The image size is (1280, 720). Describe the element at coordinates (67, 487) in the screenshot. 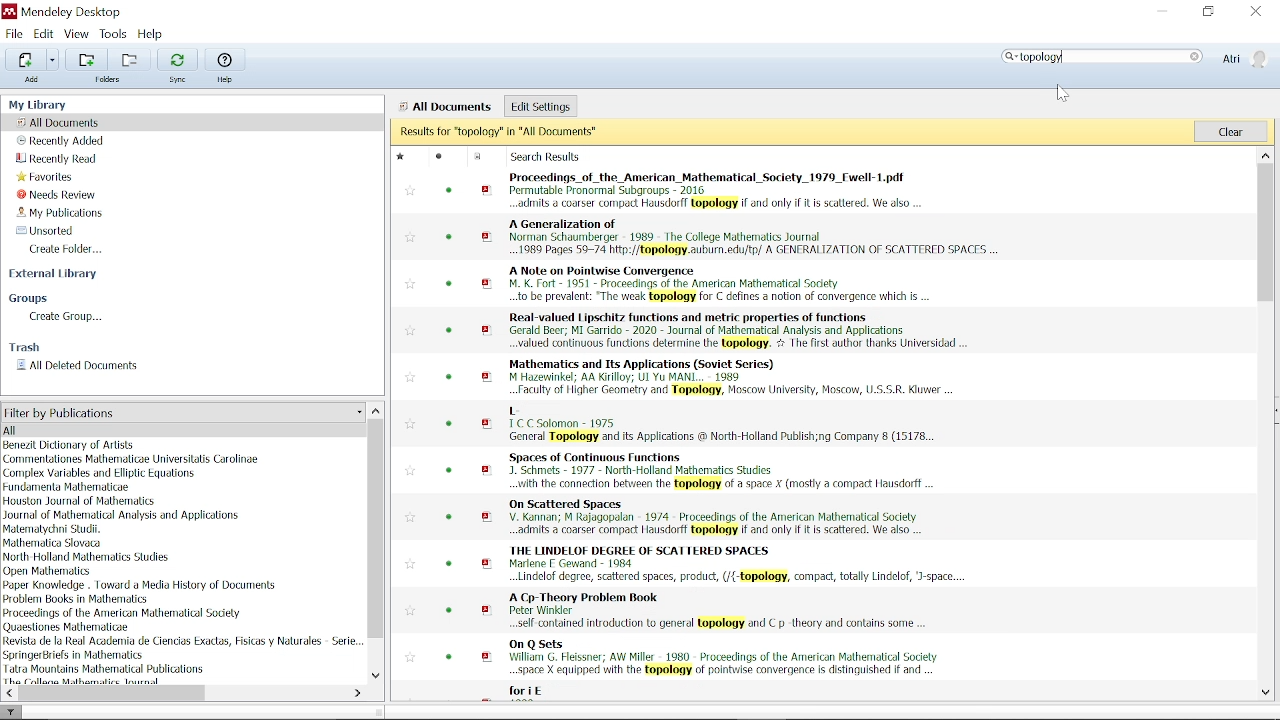

I see `author` at that location.